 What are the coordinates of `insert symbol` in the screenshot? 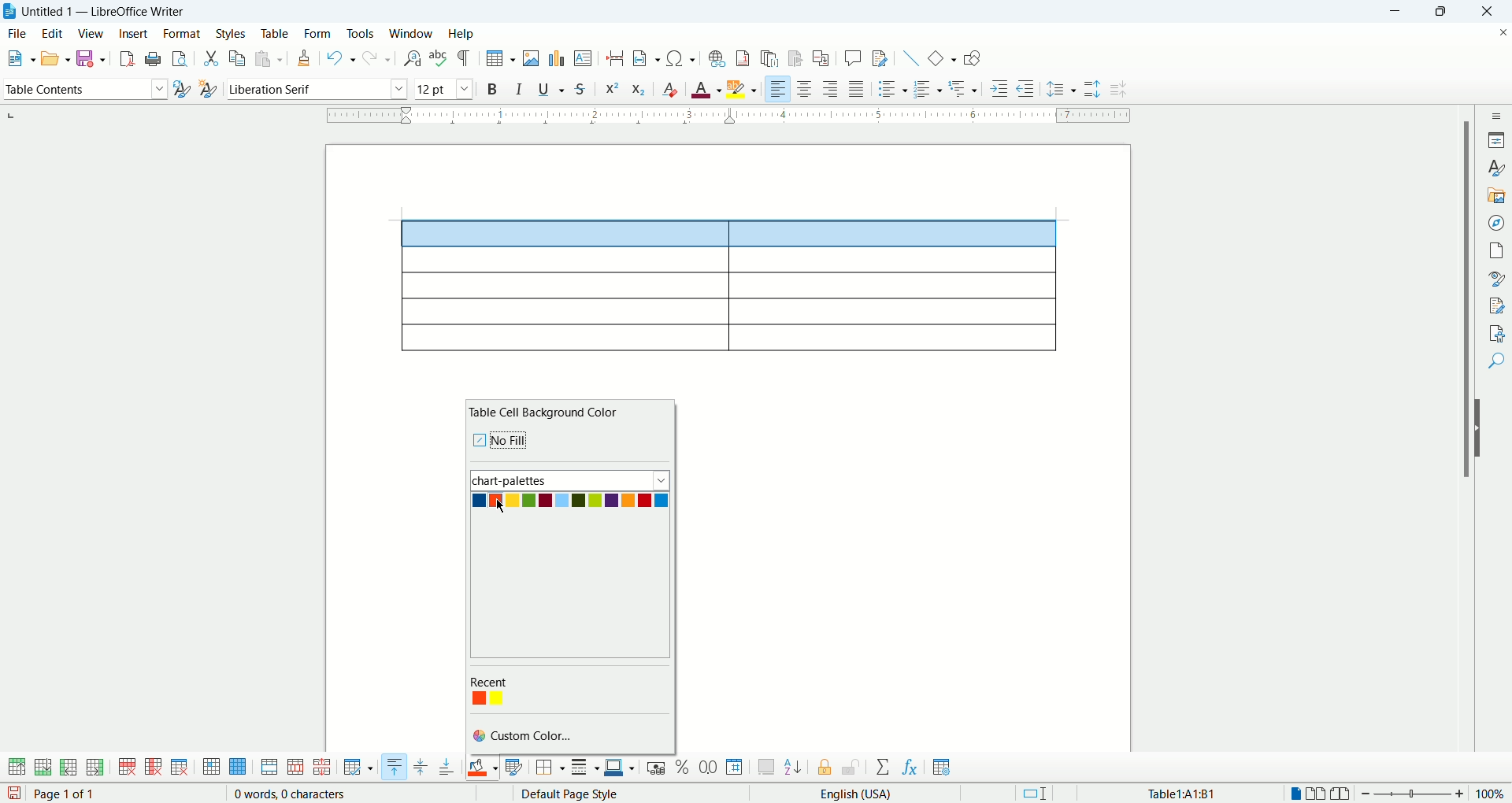 It's located at (682, 57).